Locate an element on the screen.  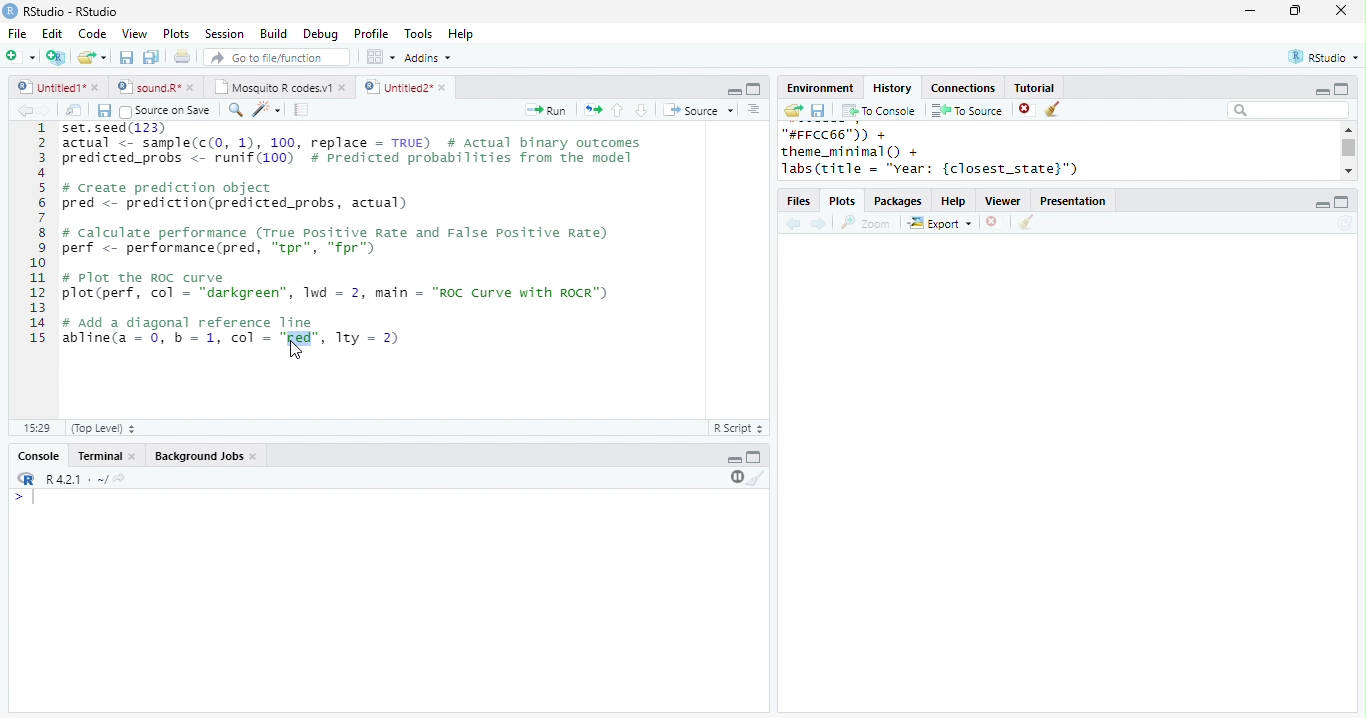
clear is located at coordinates (757, 477).